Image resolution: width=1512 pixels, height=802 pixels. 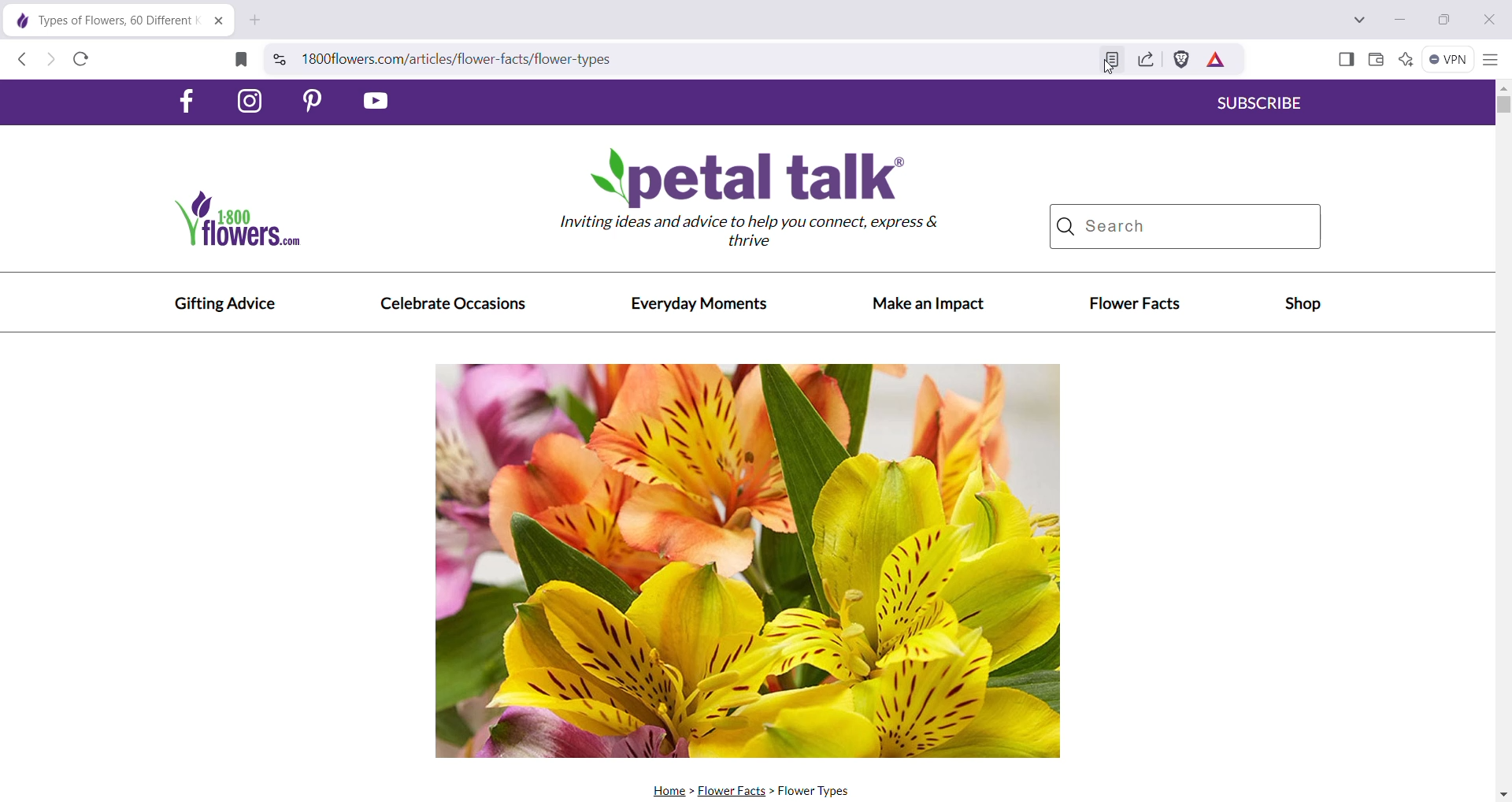 I want to click on Subscribe, so click(x=1263, y=105).